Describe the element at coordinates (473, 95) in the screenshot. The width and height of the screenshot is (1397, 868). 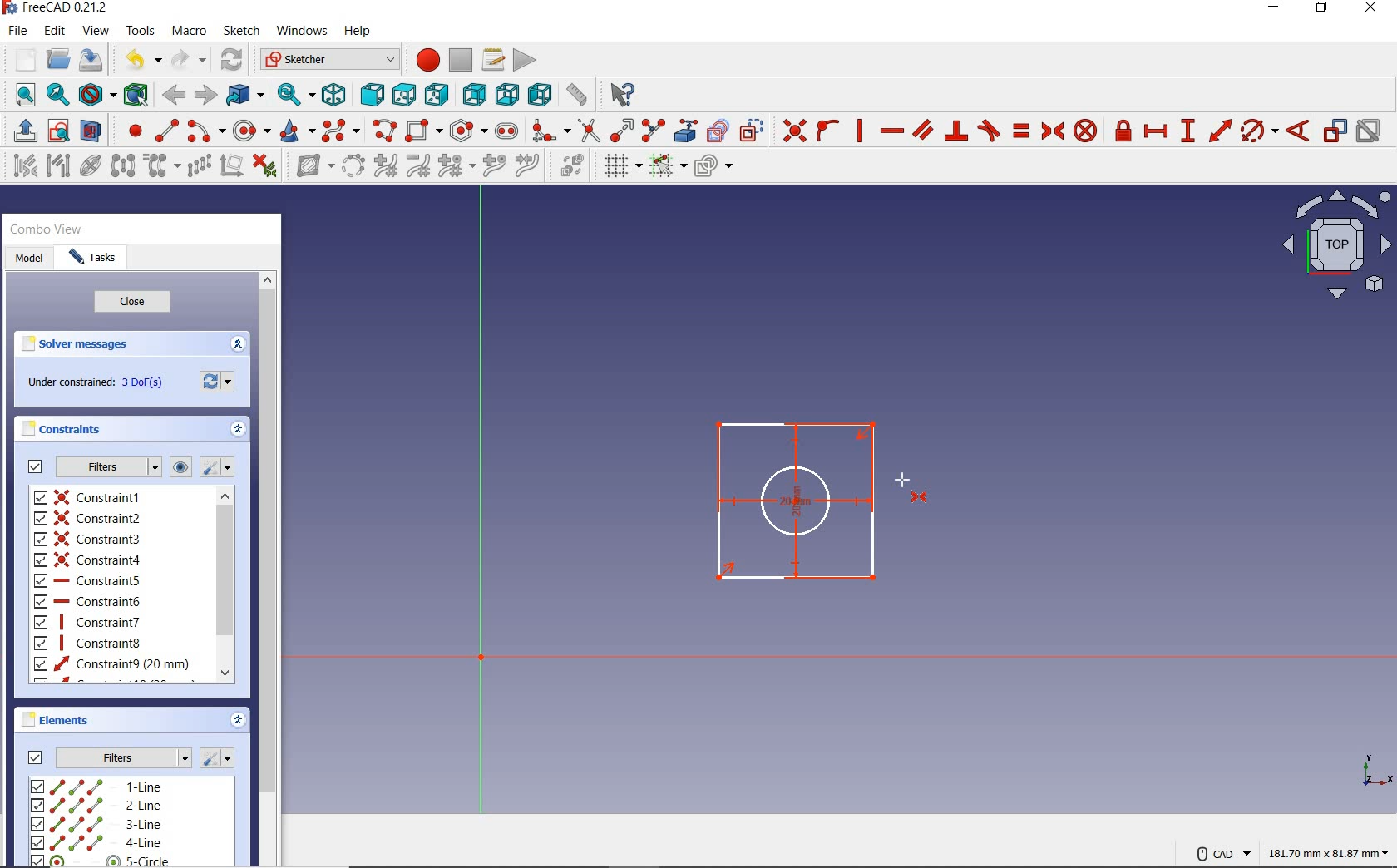
I see `rear` at that location.